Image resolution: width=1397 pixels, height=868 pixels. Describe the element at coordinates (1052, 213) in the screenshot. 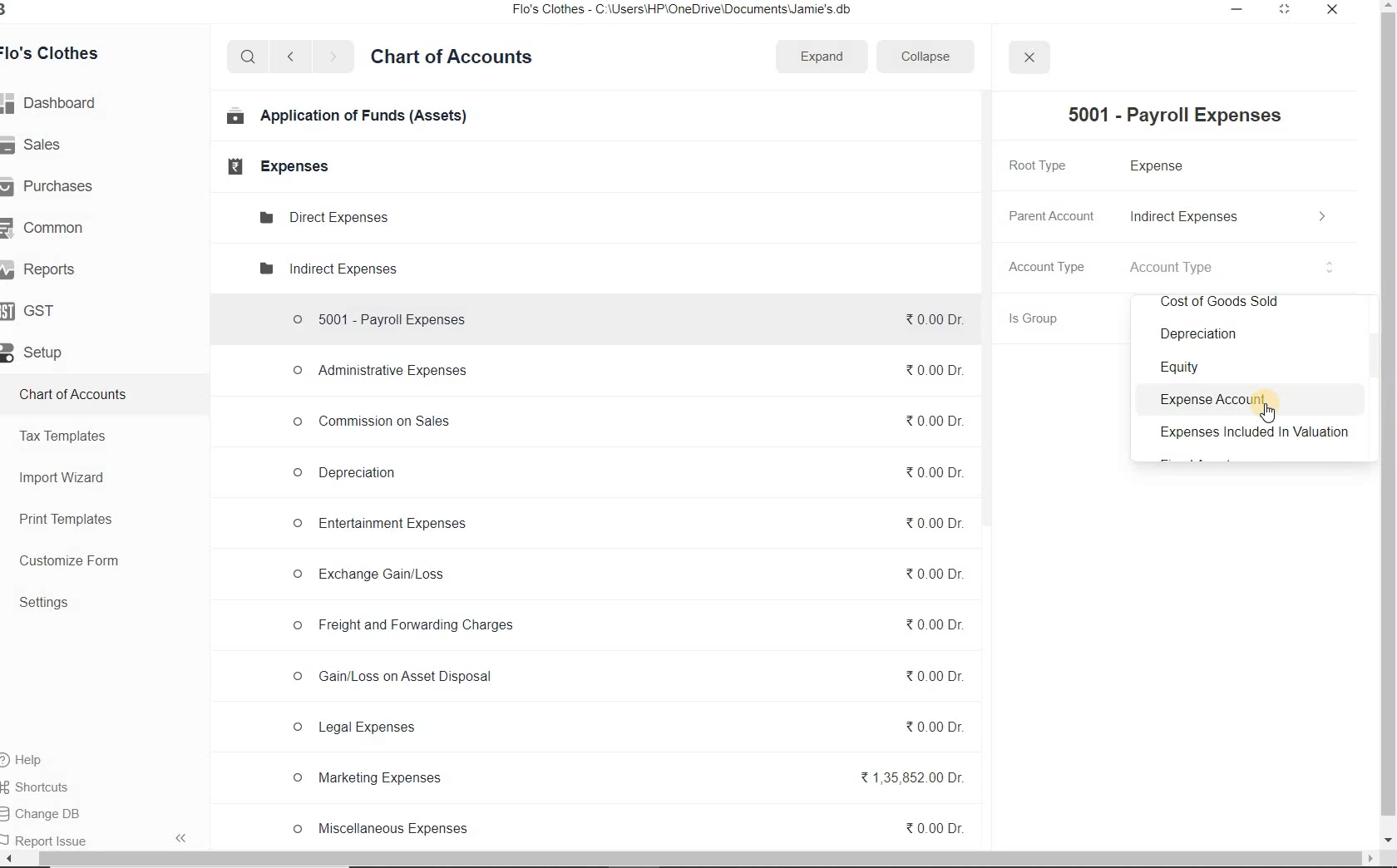

I see `Parent Account` at that location.